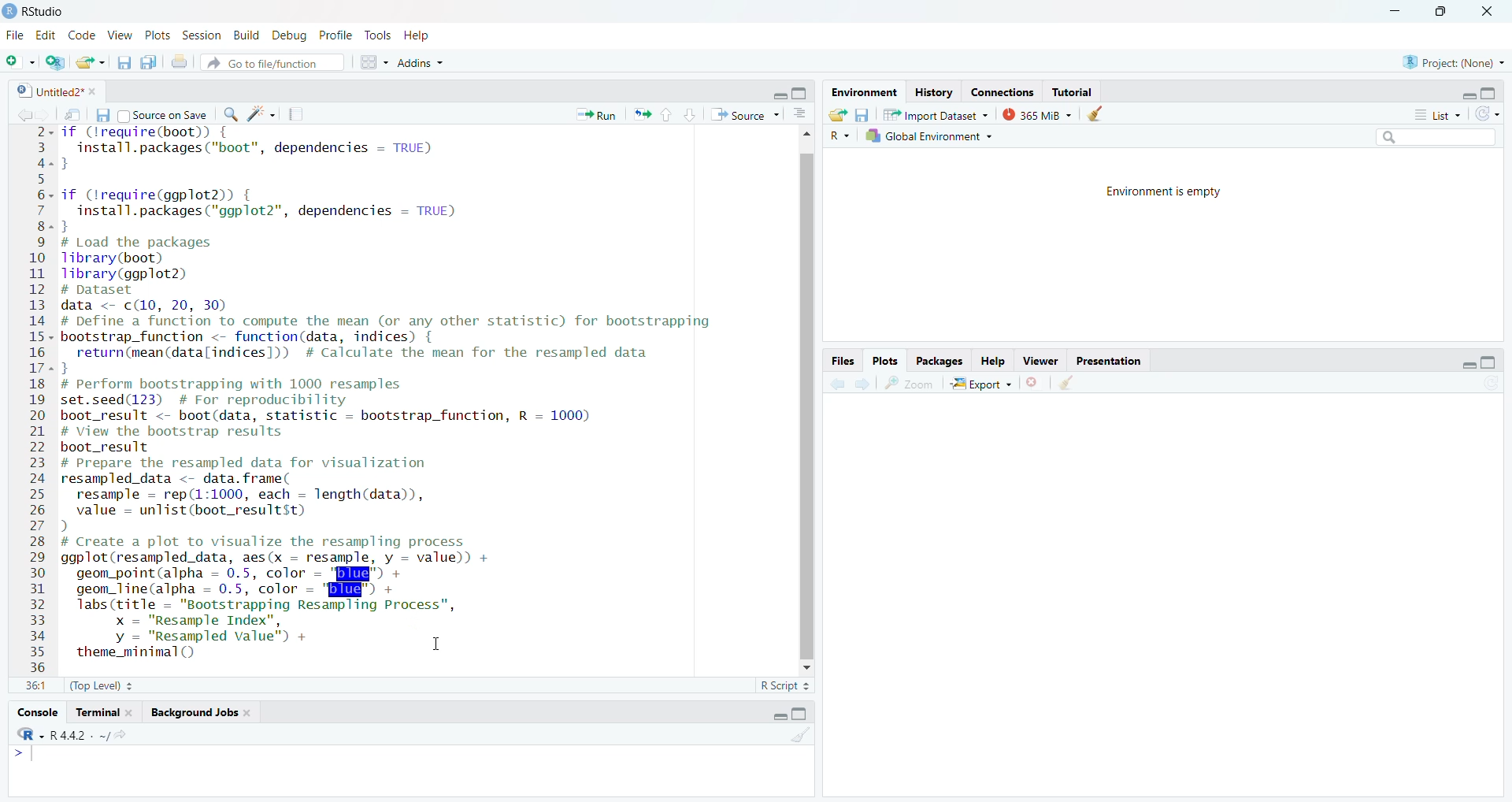 The height and width of the screenshot is (802, 1512). I want to click on source on save, so click(166, 117).